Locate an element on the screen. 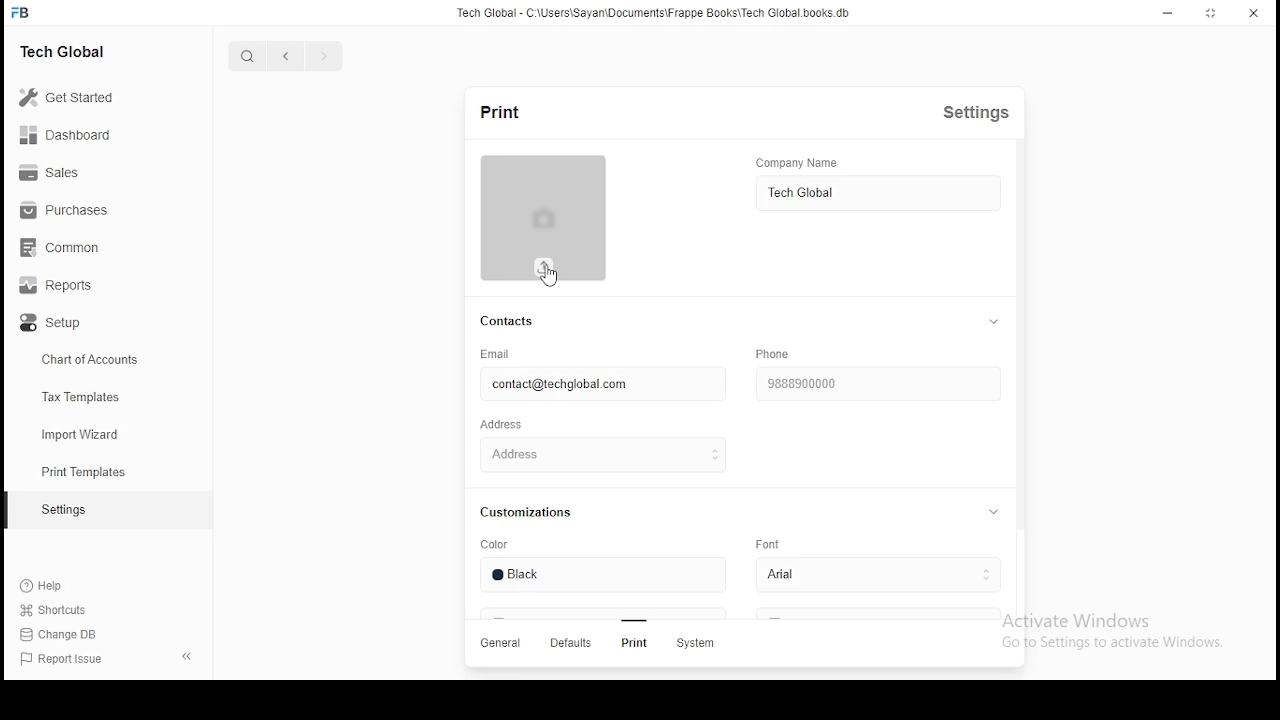  chart of accounts is located at coordinates (80, 362).